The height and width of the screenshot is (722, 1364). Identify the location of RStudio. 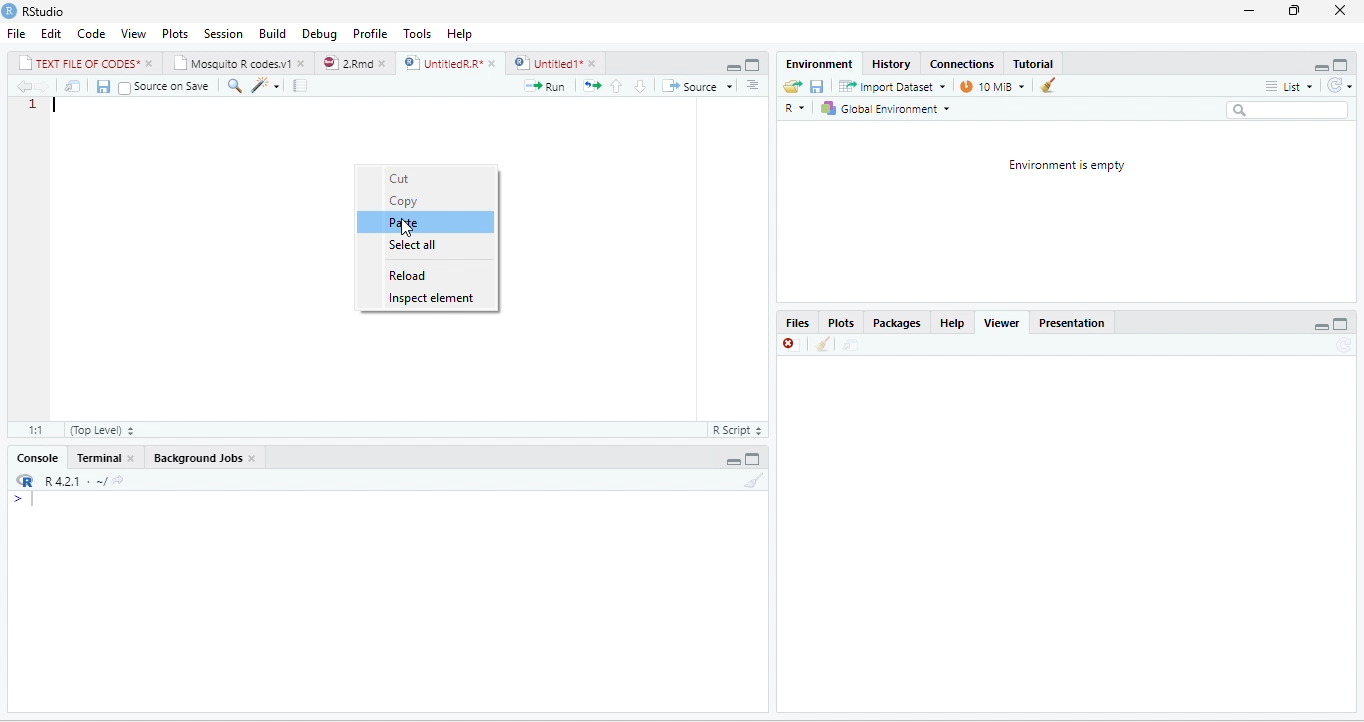
(50, 12).